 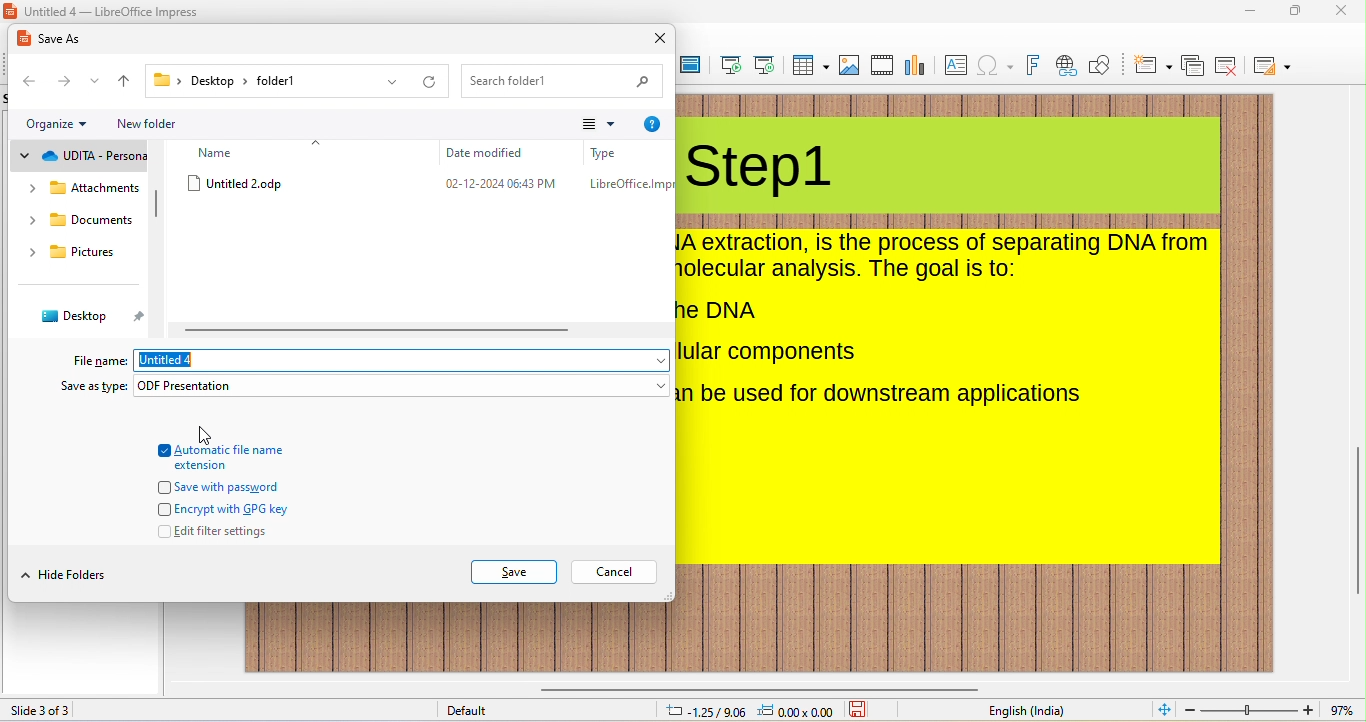 I want to click on pin, so click(x=142, y=322).